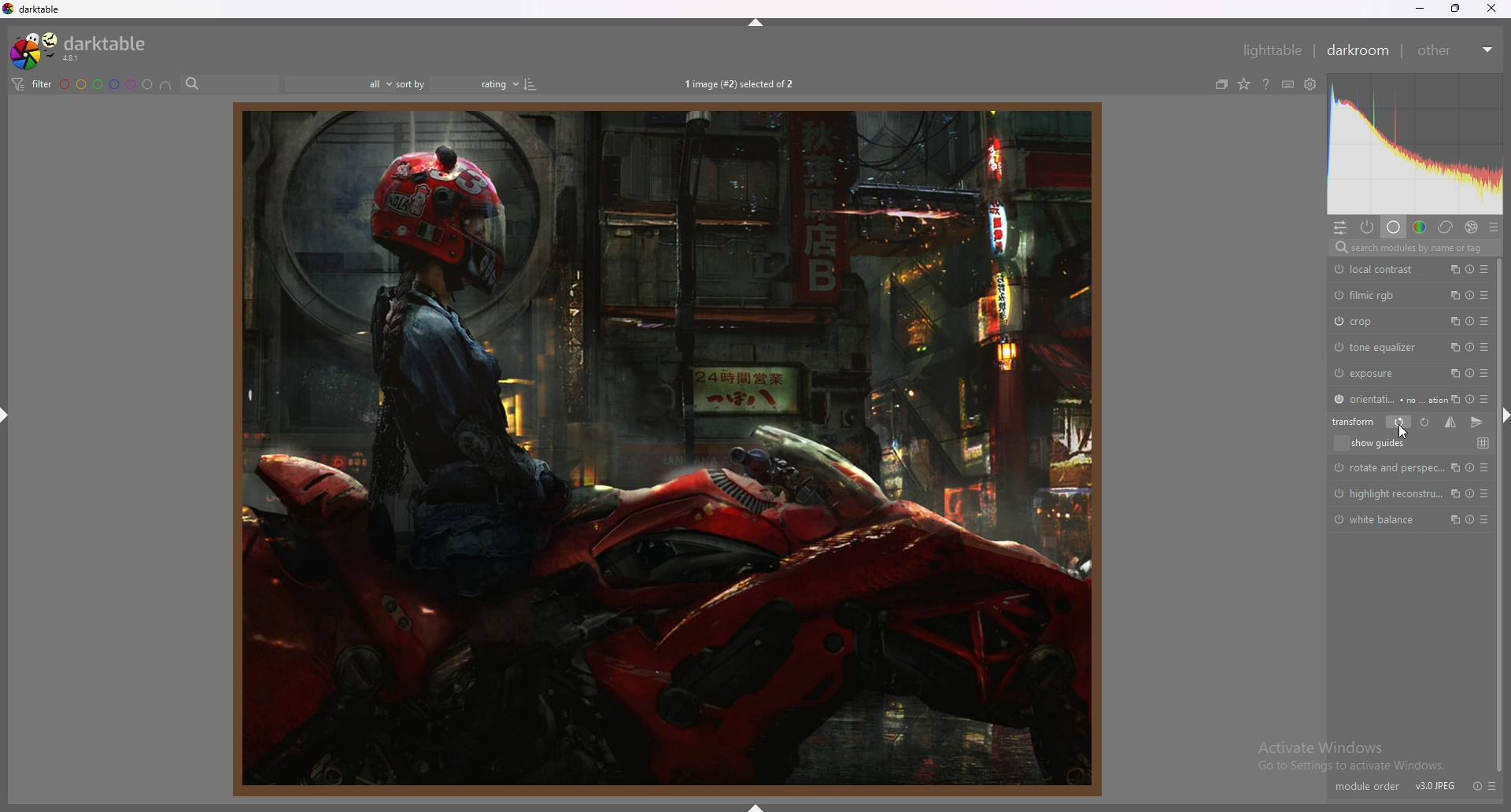 The image size is (1511, 812). I want to click on reset , so click(1472, 466).